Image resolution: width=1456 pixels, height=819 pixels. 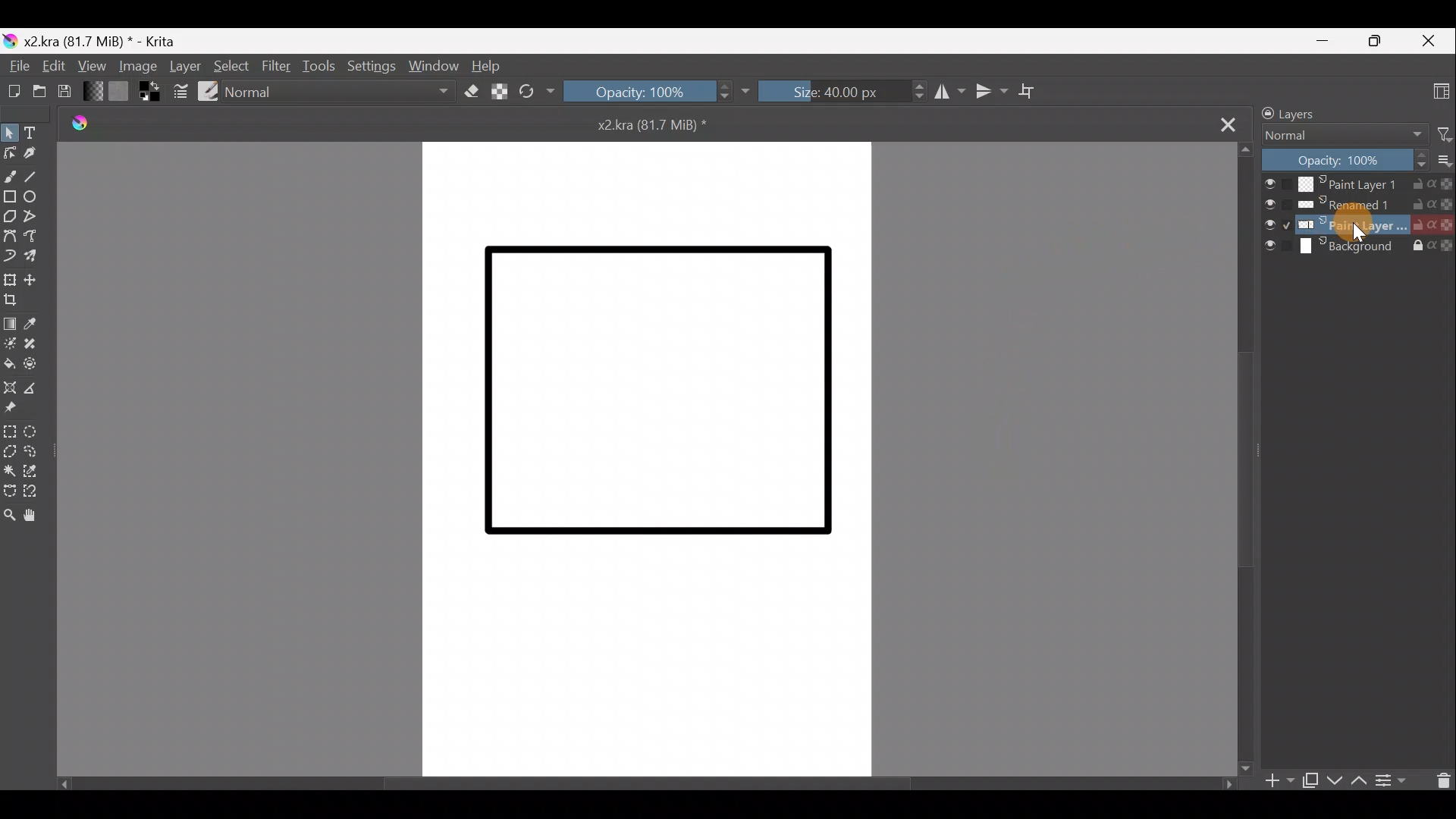 I want to click on Opacity: 100%, so click(x=656, y=94).